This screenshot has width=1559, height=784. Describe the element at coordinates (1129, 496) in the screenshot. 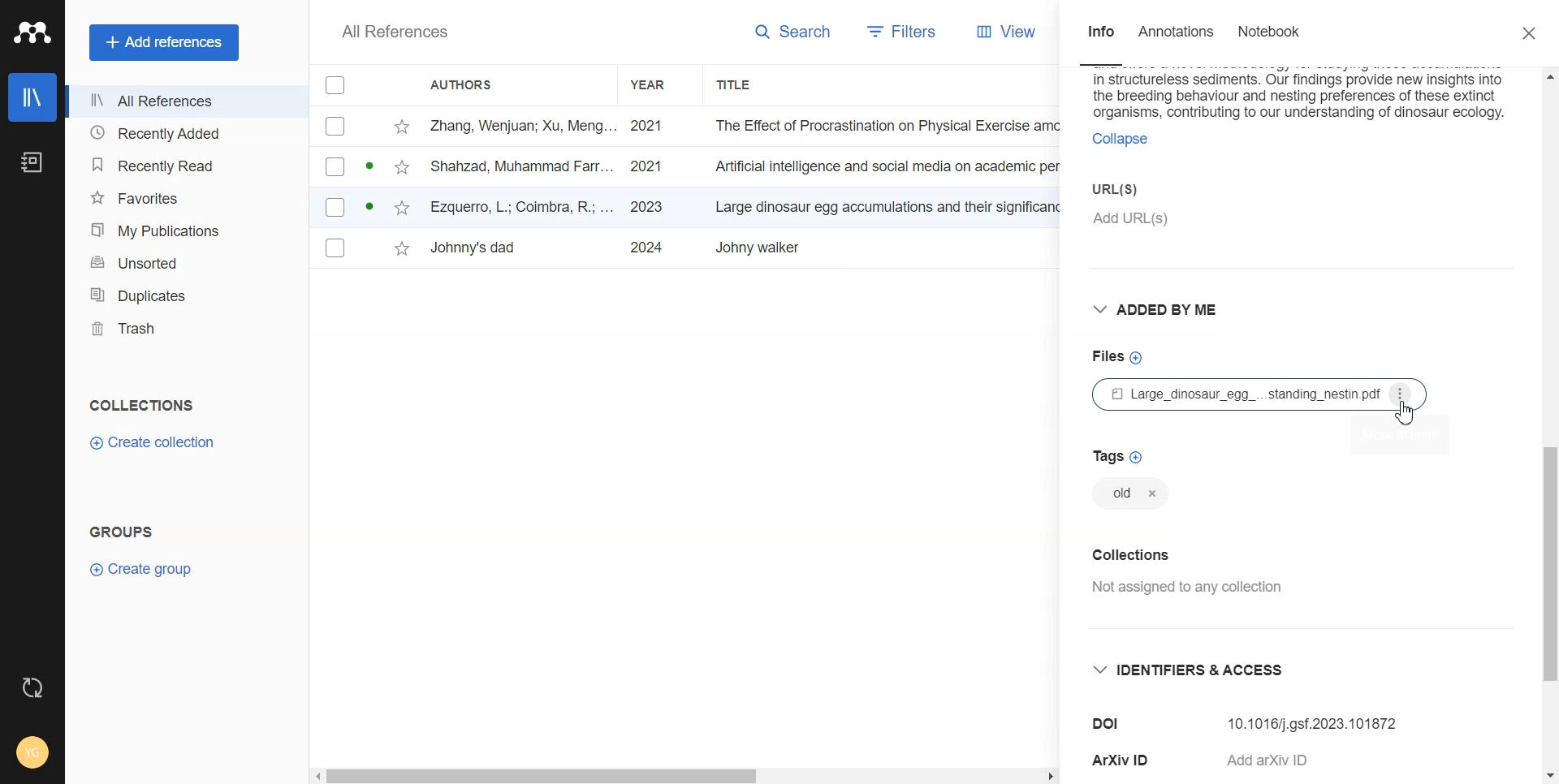

I see `Tag` at that location.